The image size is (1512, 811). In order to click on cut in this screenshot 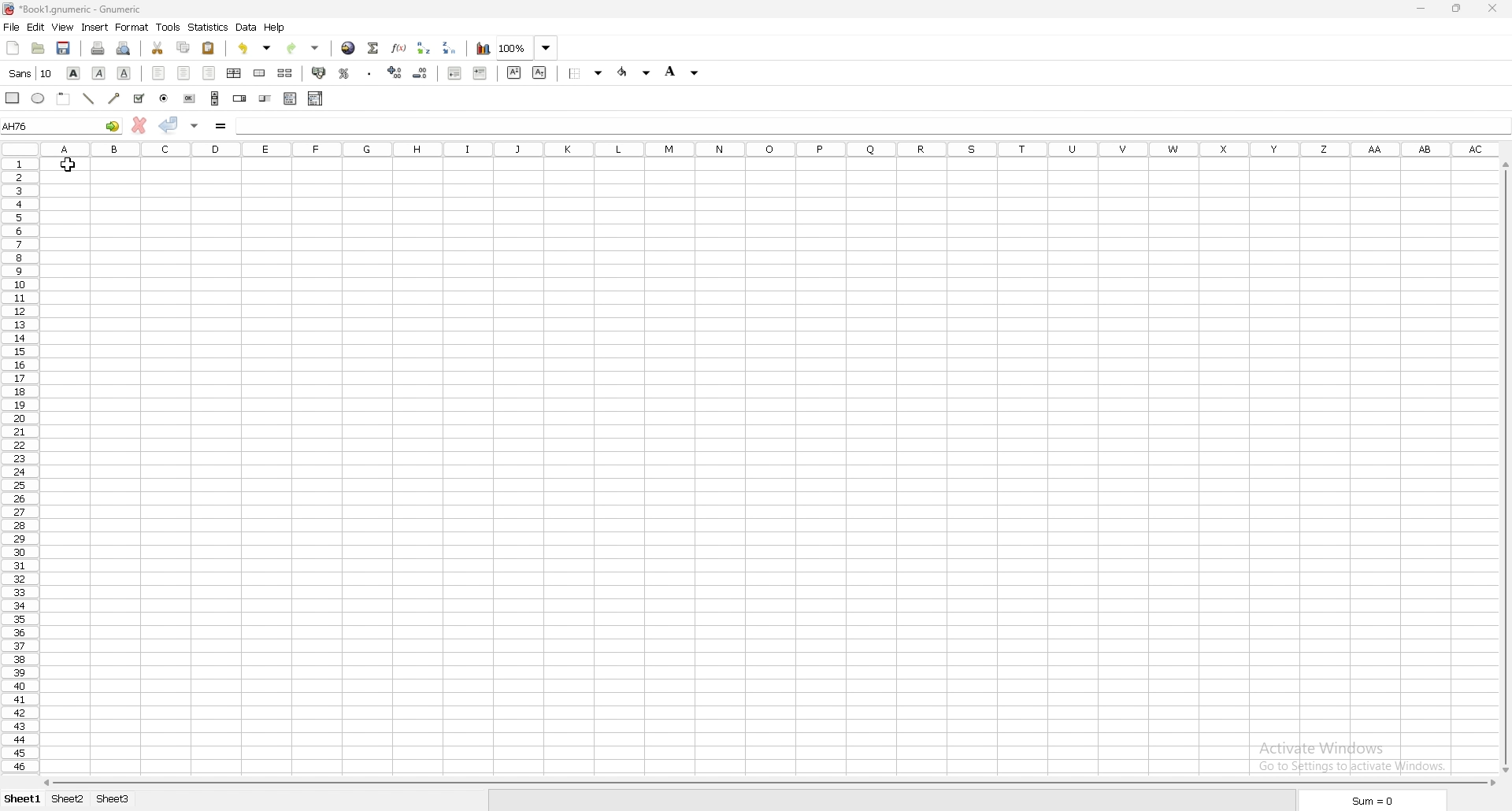, I will do `click(158, 47)`.